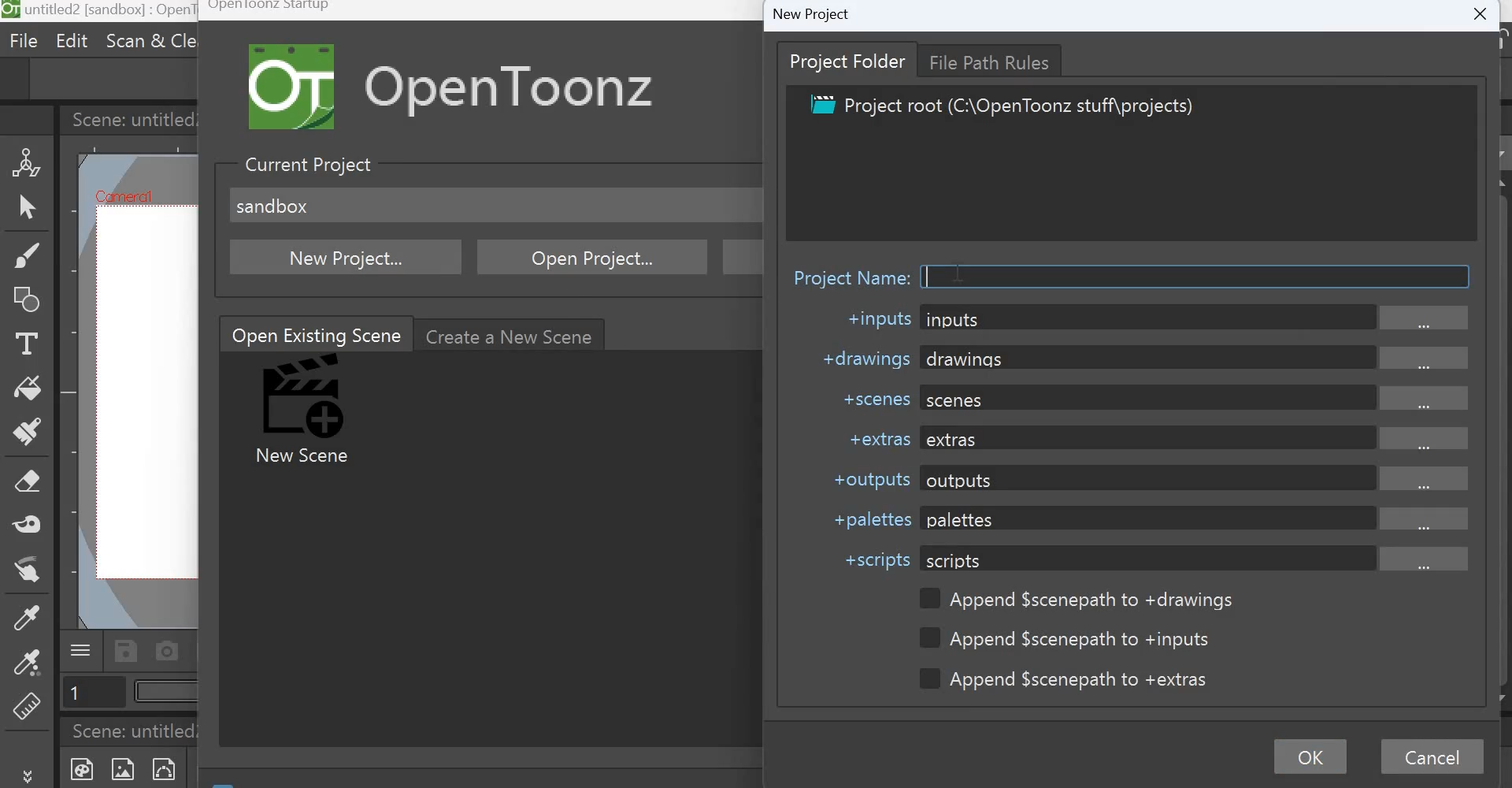  I want to click on Edit, so click(69, 40).